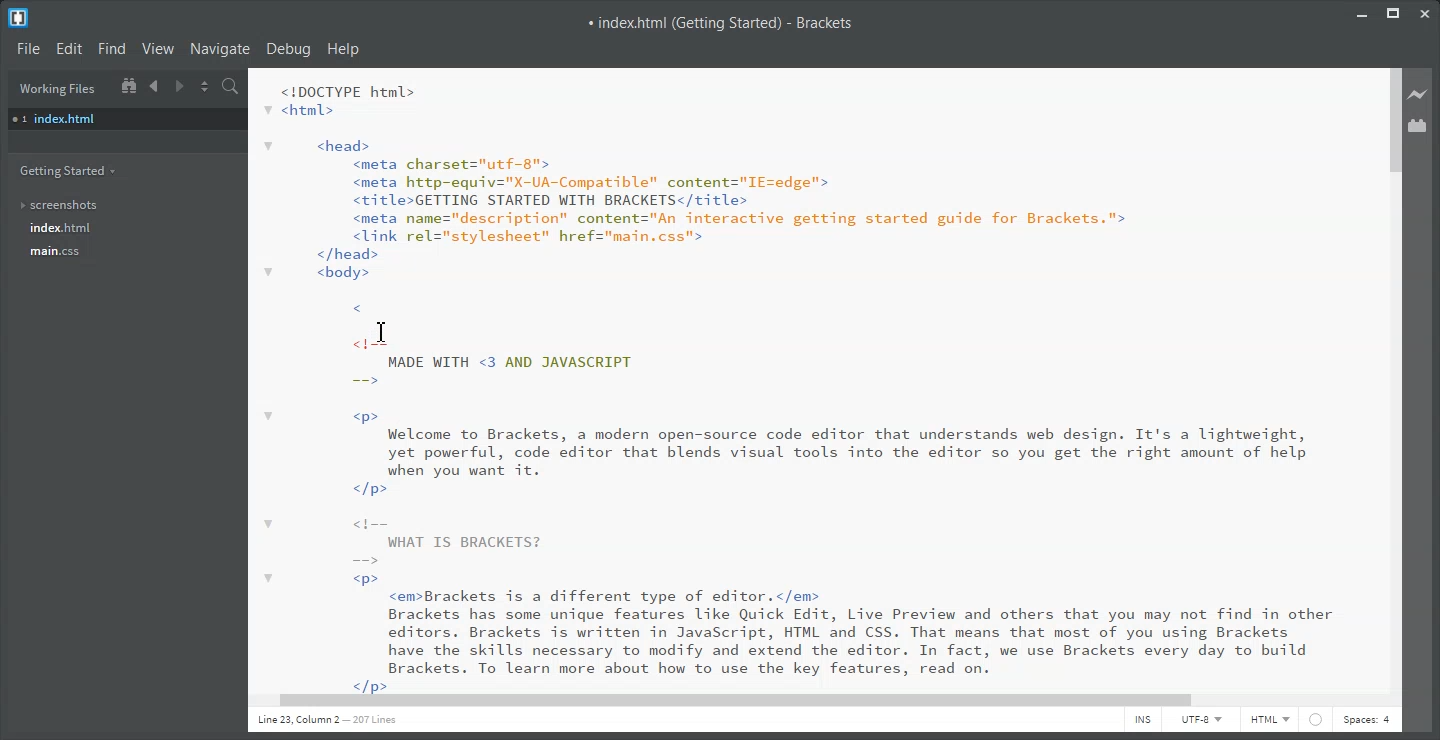  I want to click on Text Cursor, so click(383, 331).